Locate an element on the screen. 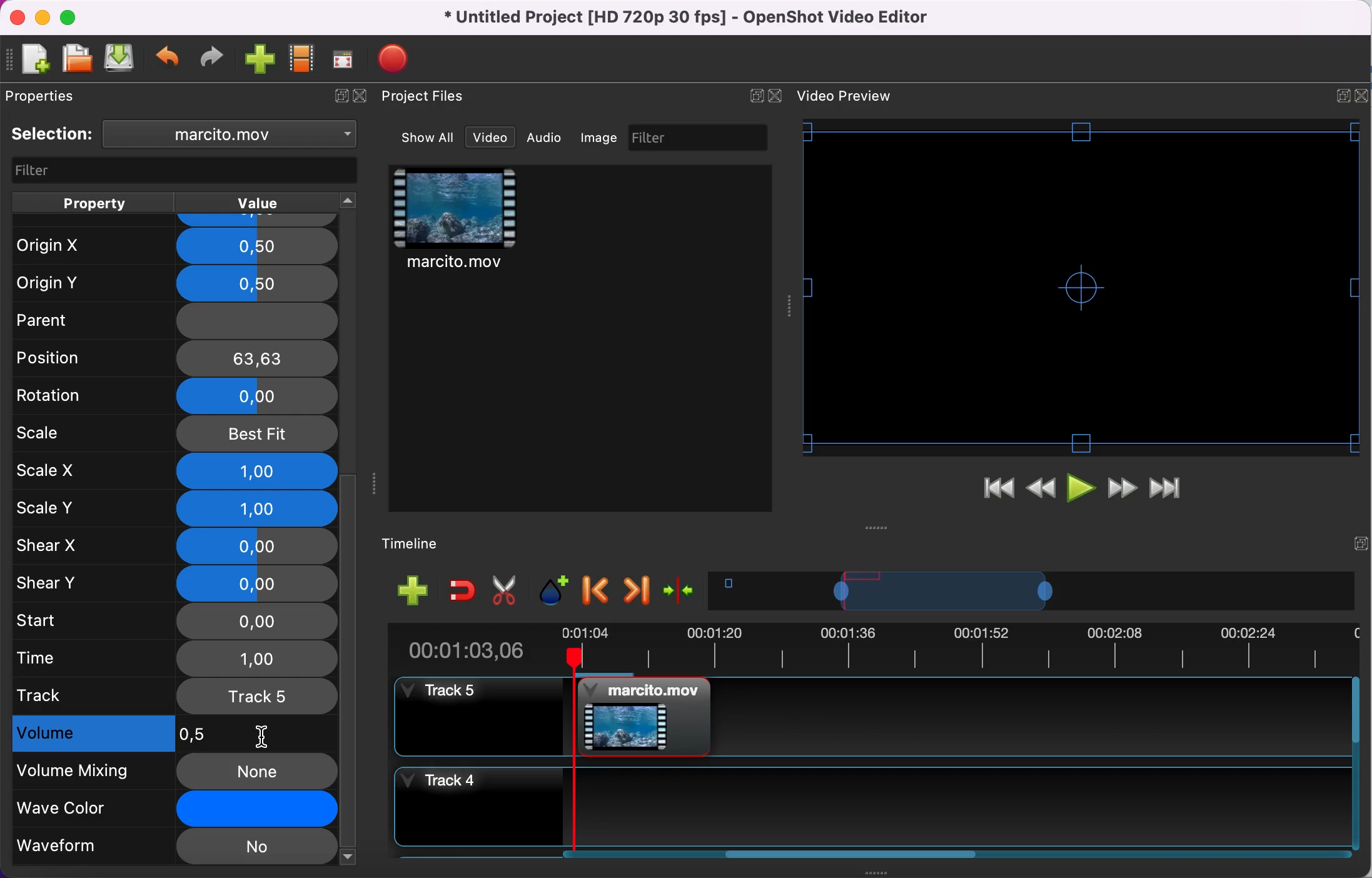 The image size is (1372, 878). redo is located at coordinates (212, 58).